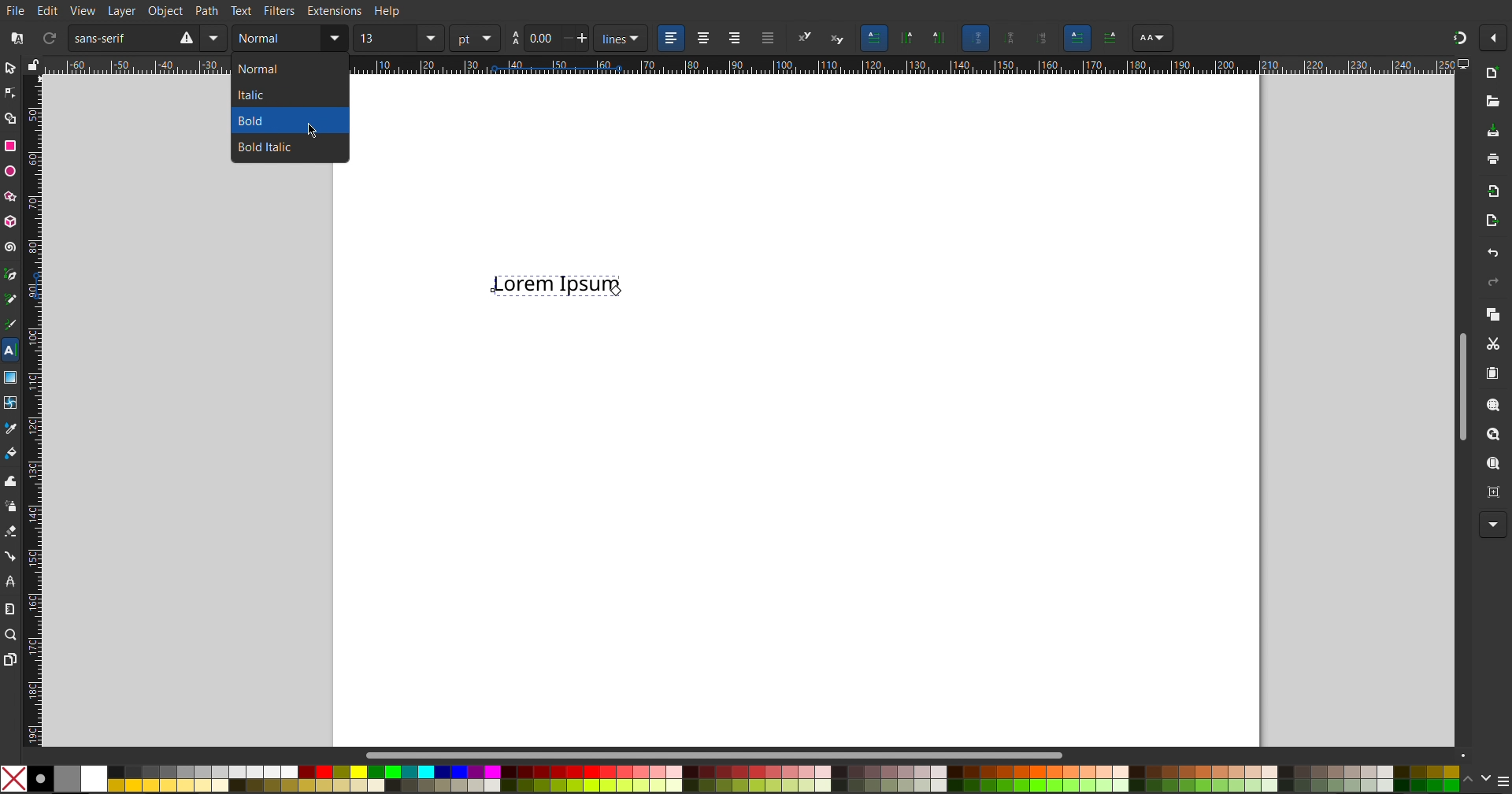 The height and width of the screenshot is (794, 1512). I want to click on Object, so click(165, 9).